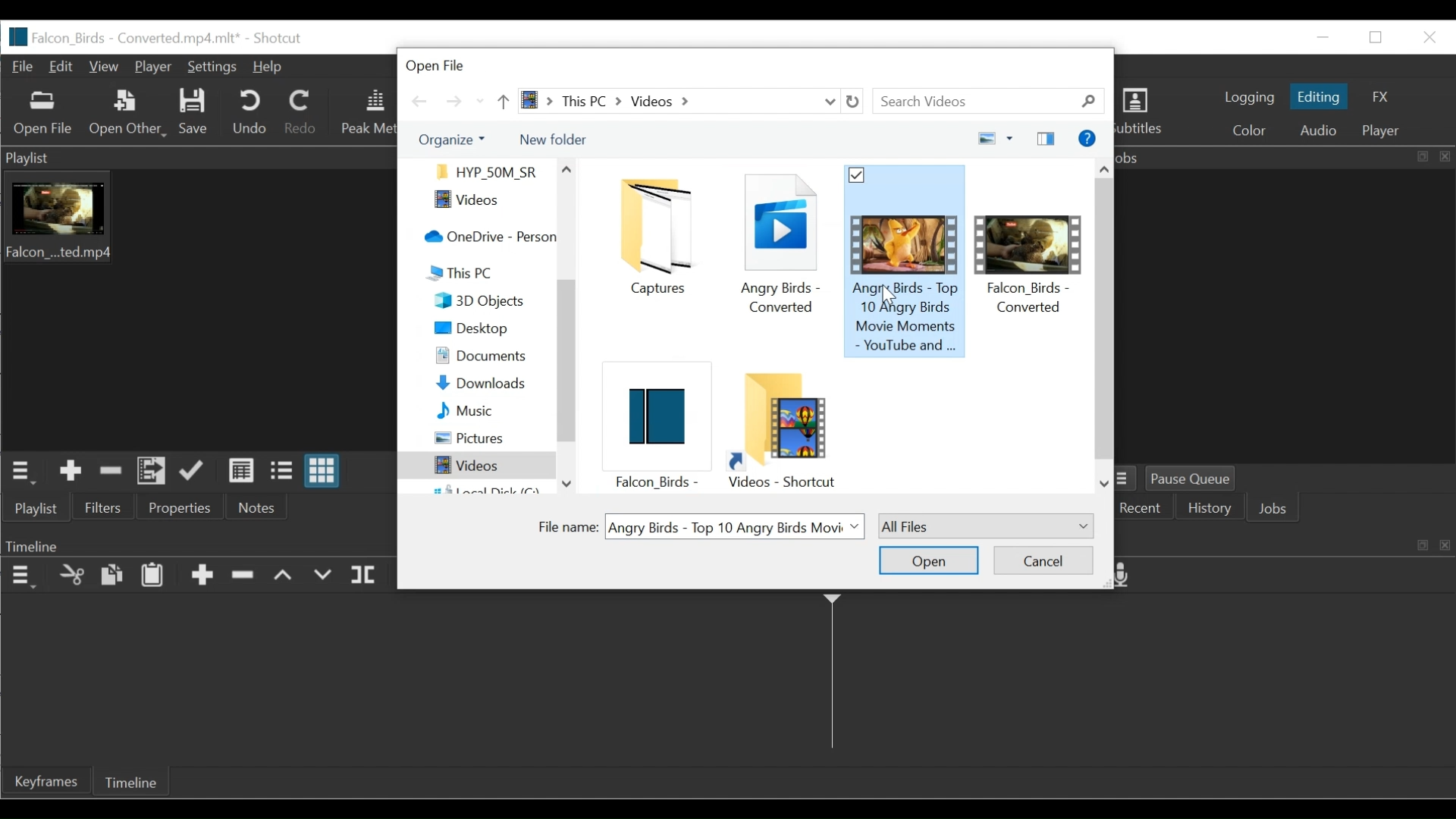 The height and width of the screenshot is (819, 1456). Describe the element at coordinates (653, 430) in the screenshot. I see `flcon _ birds -` at that location.